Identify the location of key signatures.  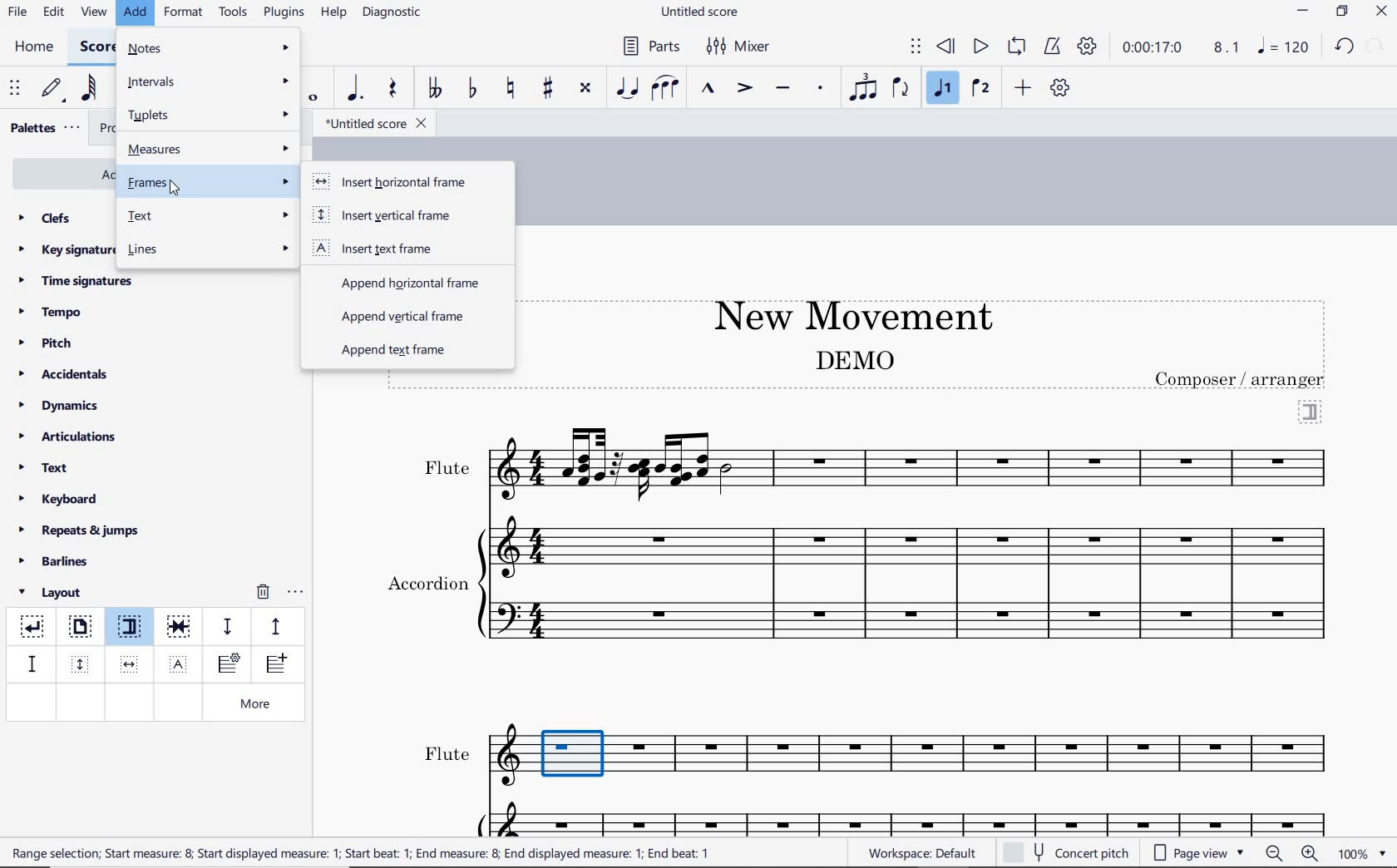
(64, 249).